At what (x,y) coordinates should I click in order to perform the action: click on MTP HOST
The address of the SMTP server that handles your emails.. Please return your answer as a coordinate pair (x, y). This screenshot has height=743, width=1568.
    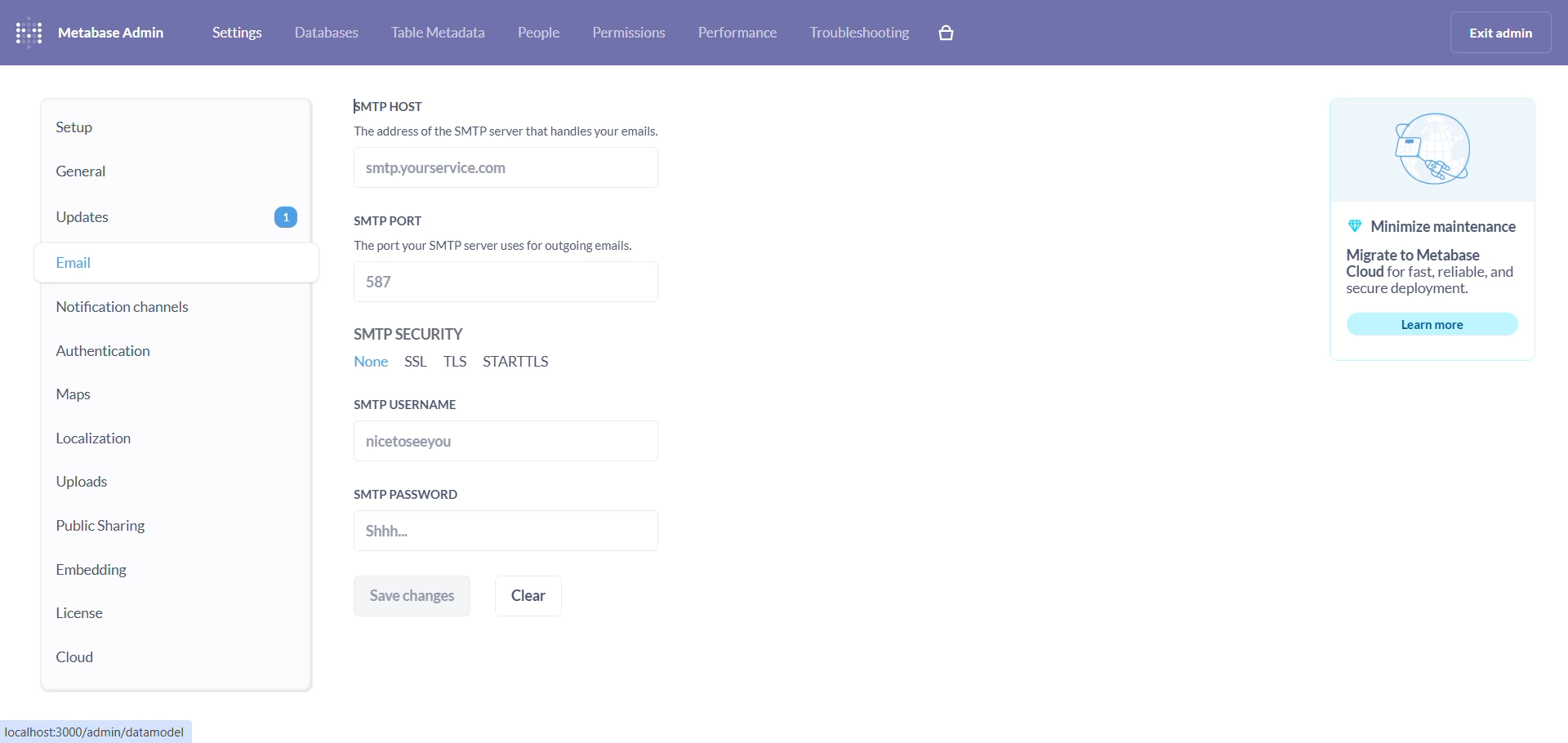
    Looking at the image, I should click on (510, 118).